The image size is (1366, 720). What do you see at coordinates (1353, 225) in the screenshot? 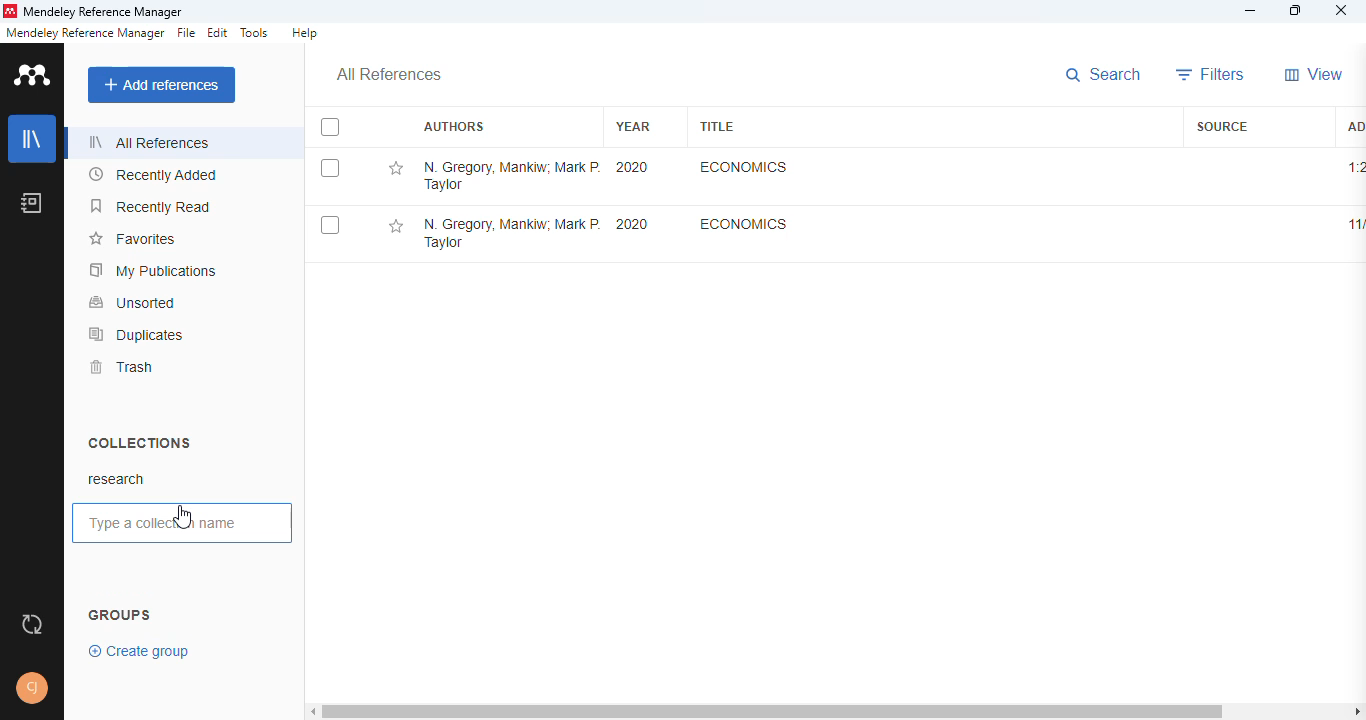
I see `11/` at bounding box center [1353, 225].